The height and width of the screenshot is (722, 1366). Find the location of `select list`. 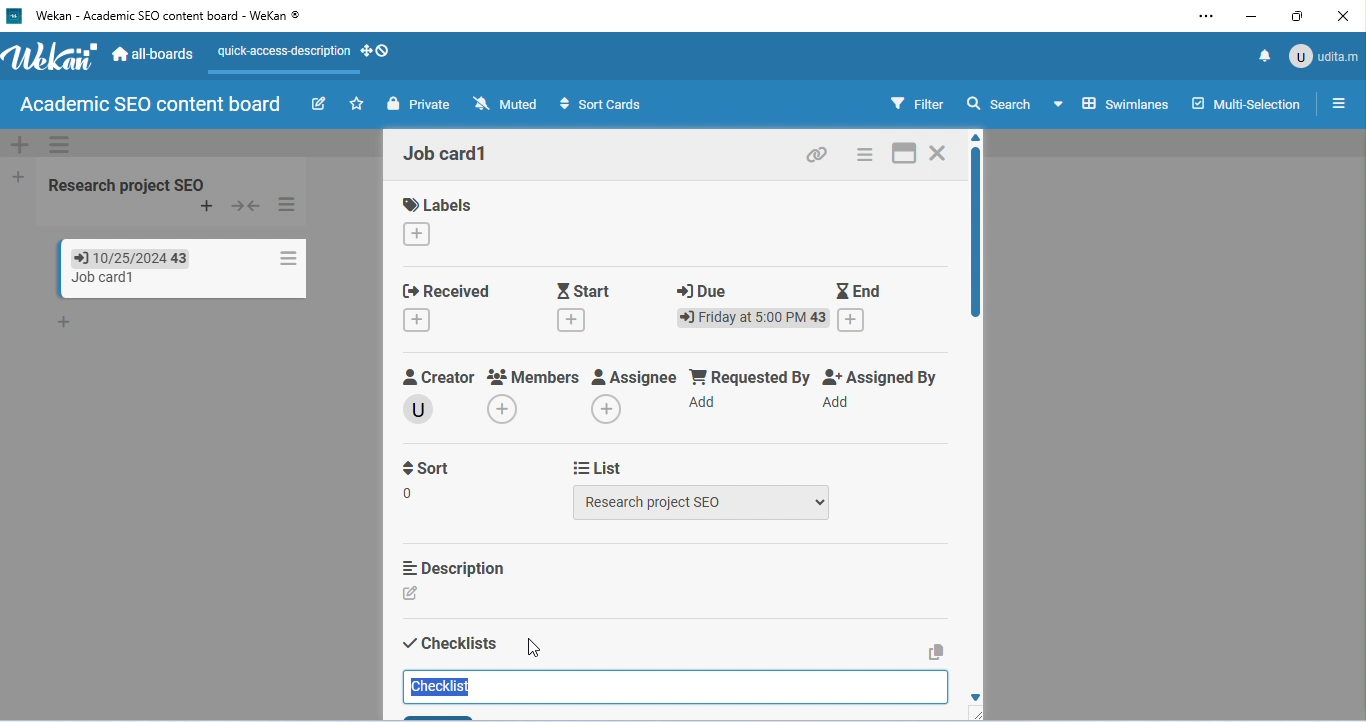

select list is located at coordinates (703, 502).